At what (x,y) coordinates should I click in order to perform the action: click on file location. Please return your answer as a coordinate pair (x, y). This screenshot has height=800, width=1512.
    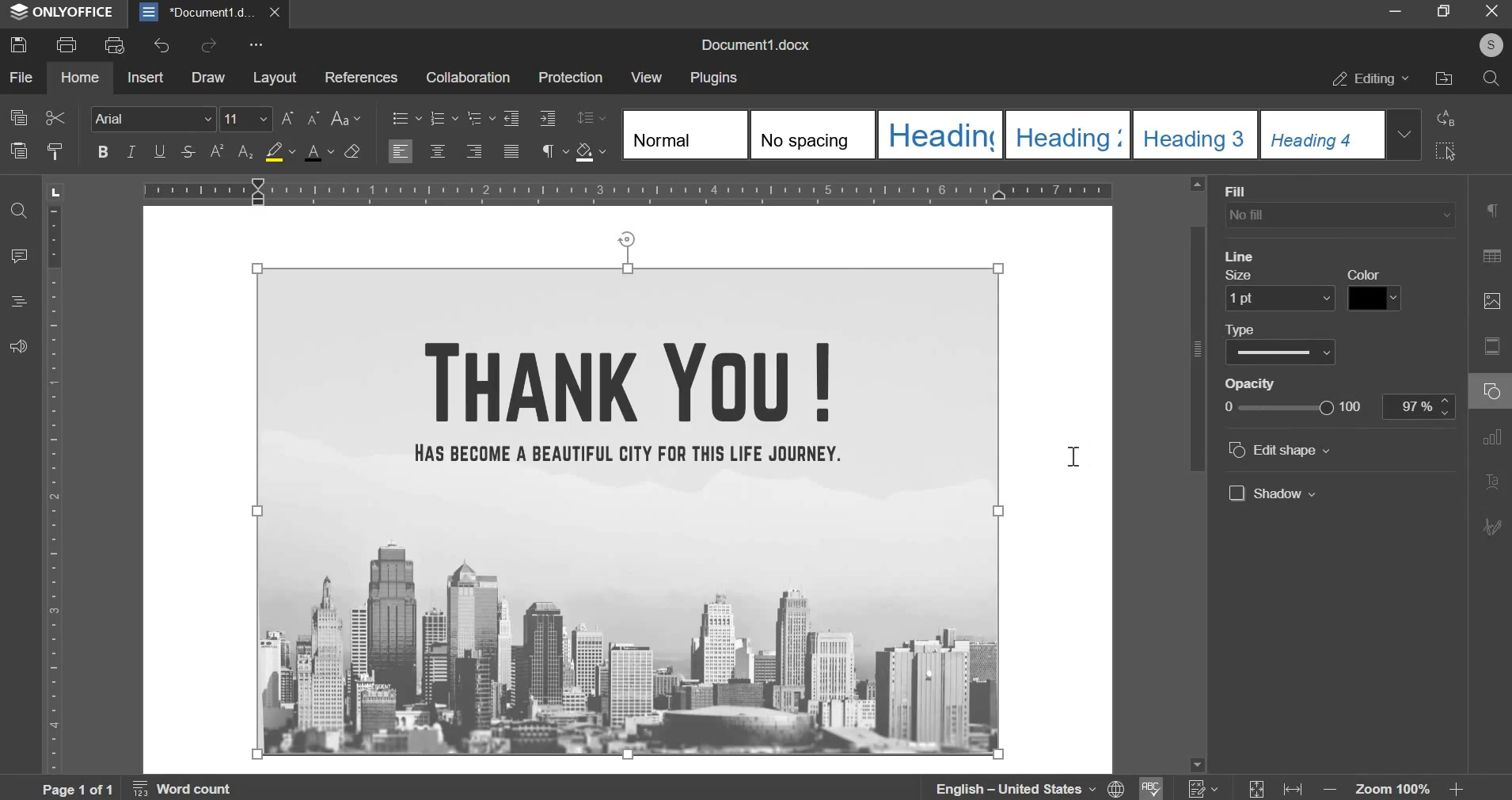
    Looking at the image, I should click on (1443, 78).